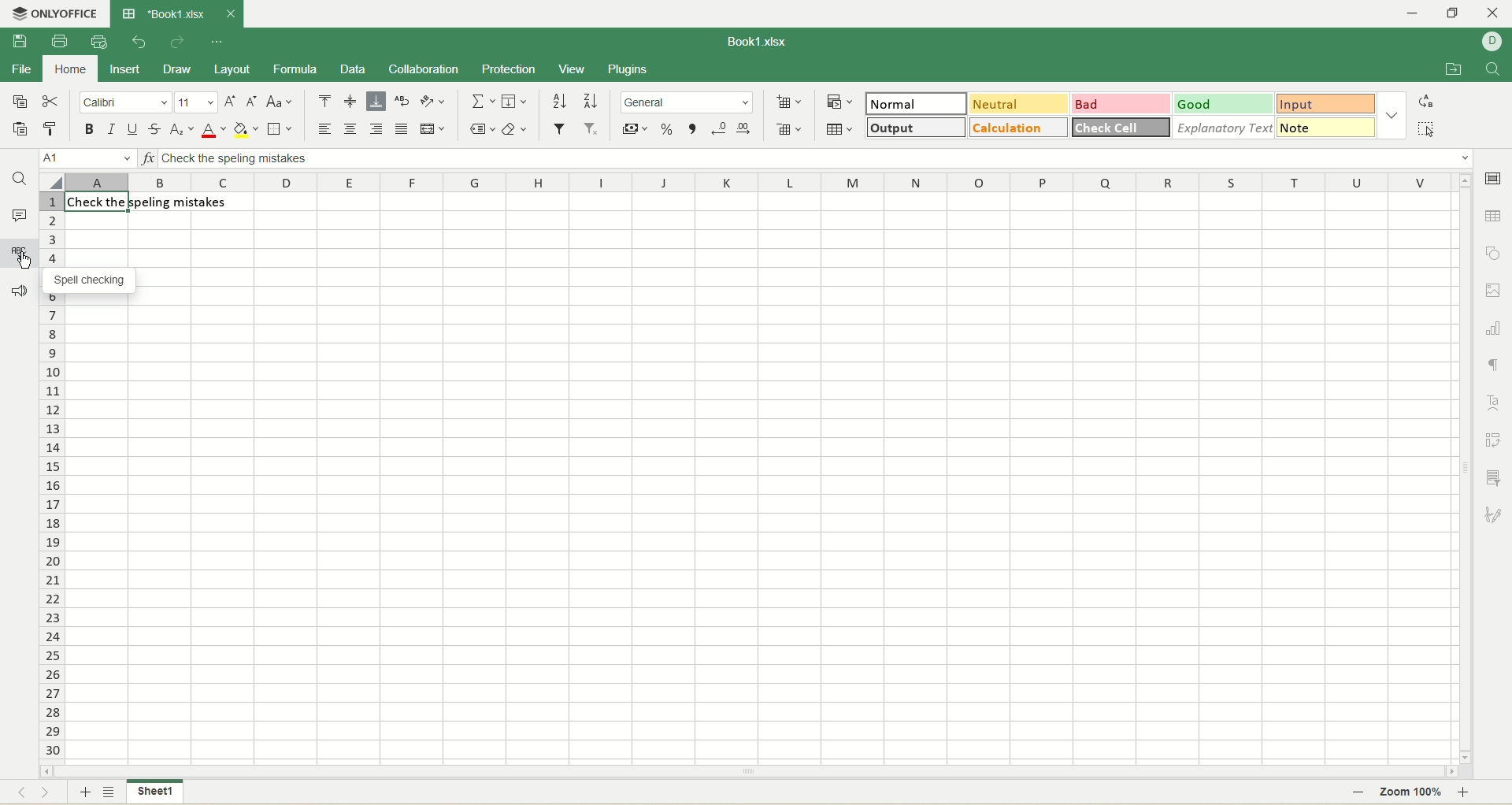  What do you see at coordinates (1492, 70) in the screenshot?
I see `find` at bounding box center [1492, 70].